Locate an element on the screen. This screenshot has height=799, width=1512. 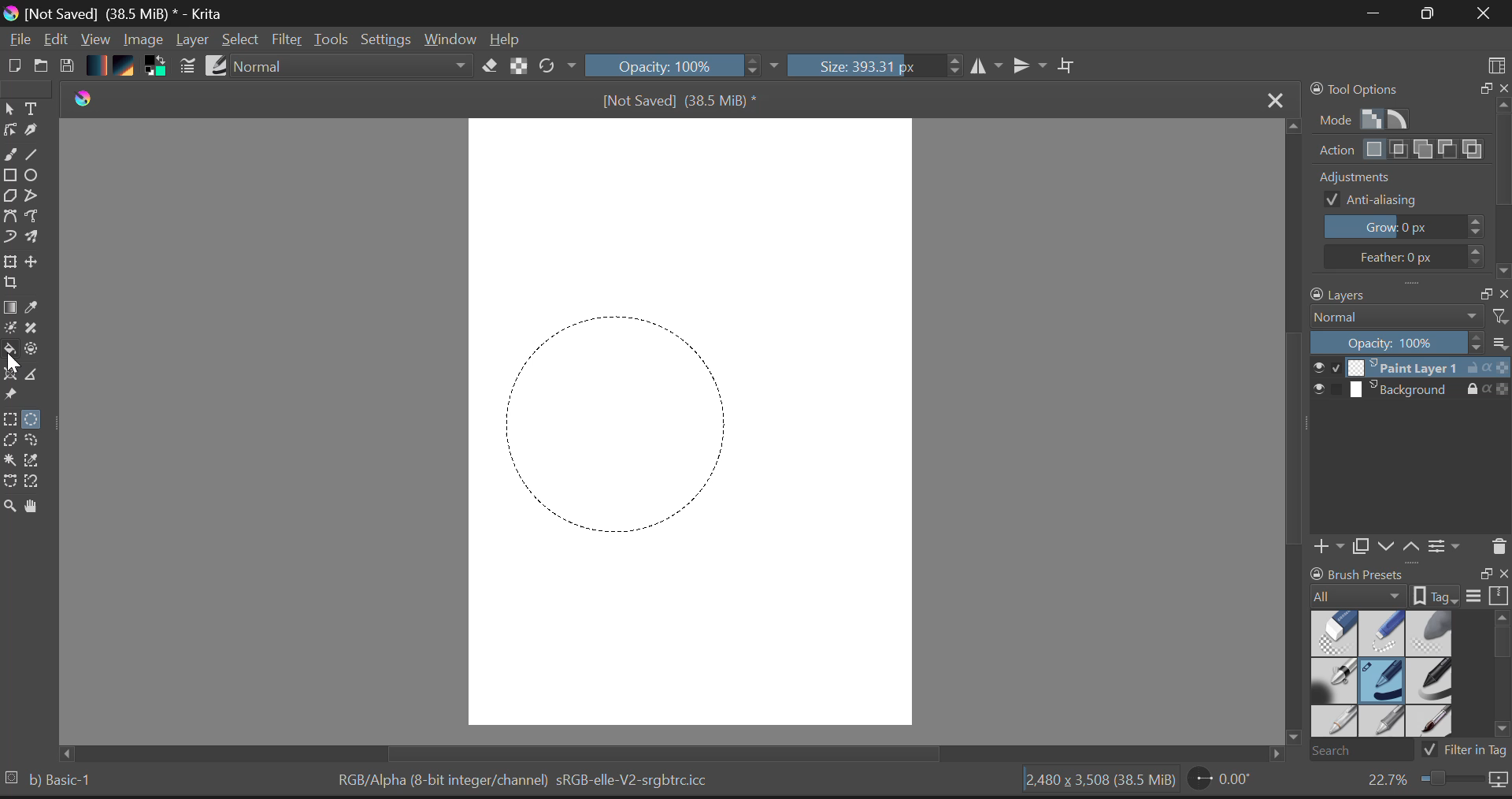
Calligraphic Tool is located at coordinates (31, 133).